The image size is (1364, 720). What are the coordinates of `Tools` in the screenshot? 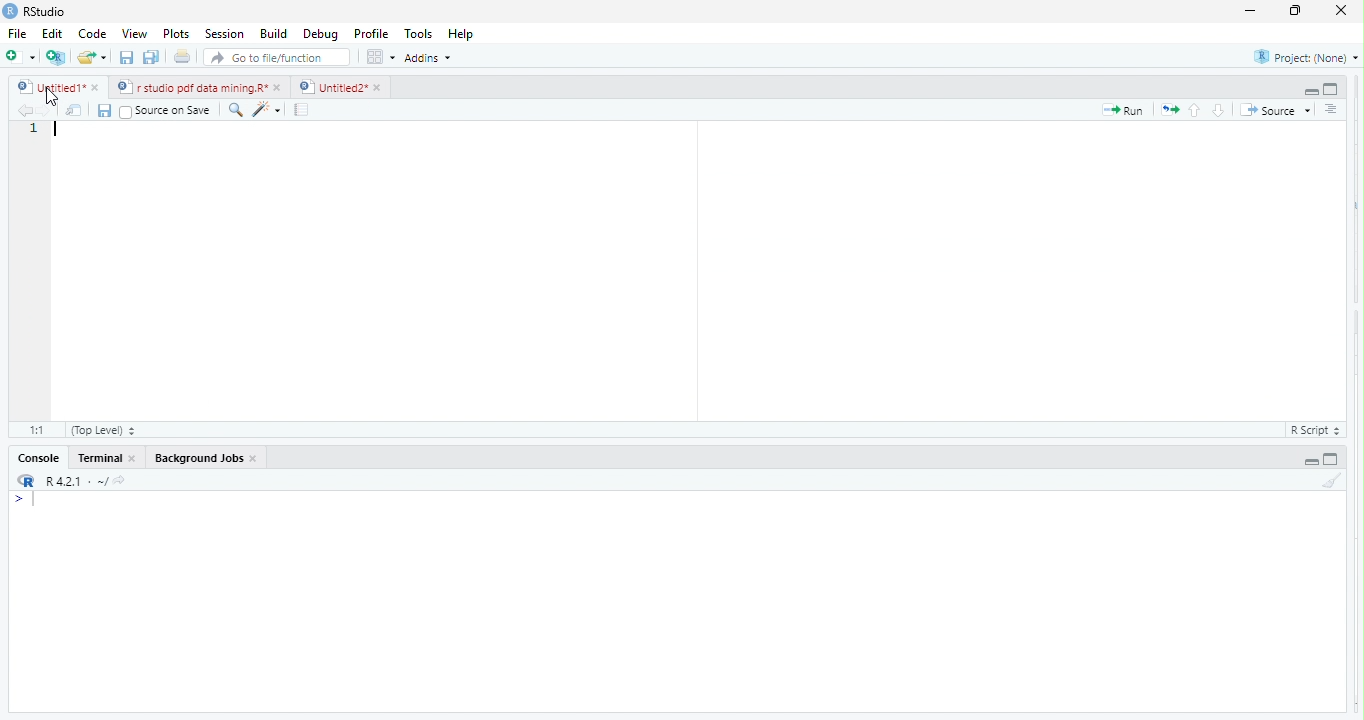 It's located at (420, 33).